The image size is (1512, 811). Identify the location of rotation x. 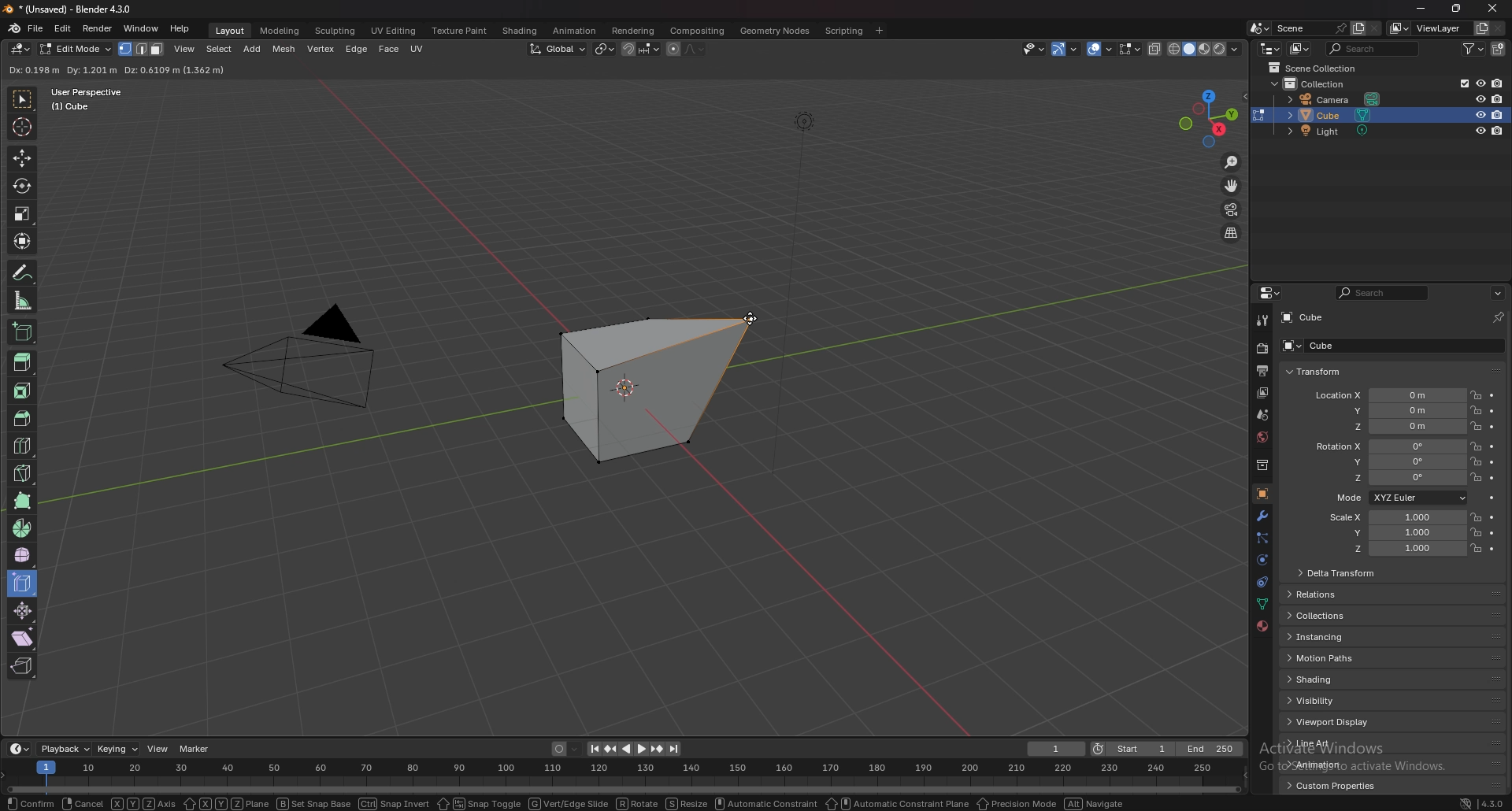
(1388, 447).